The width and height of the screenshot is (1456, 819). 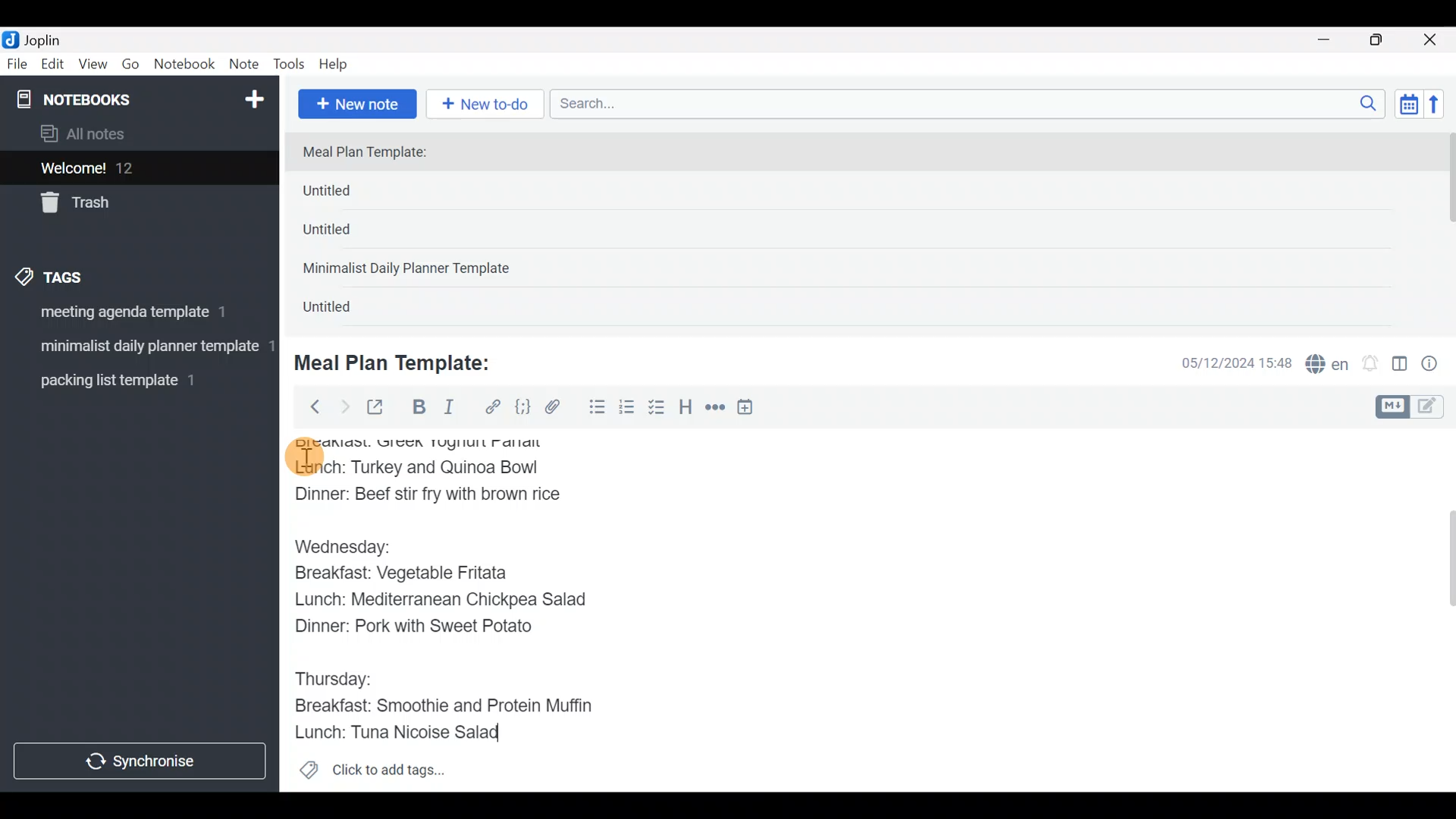 I want to click on Joplin, so click(x=52, y=38).